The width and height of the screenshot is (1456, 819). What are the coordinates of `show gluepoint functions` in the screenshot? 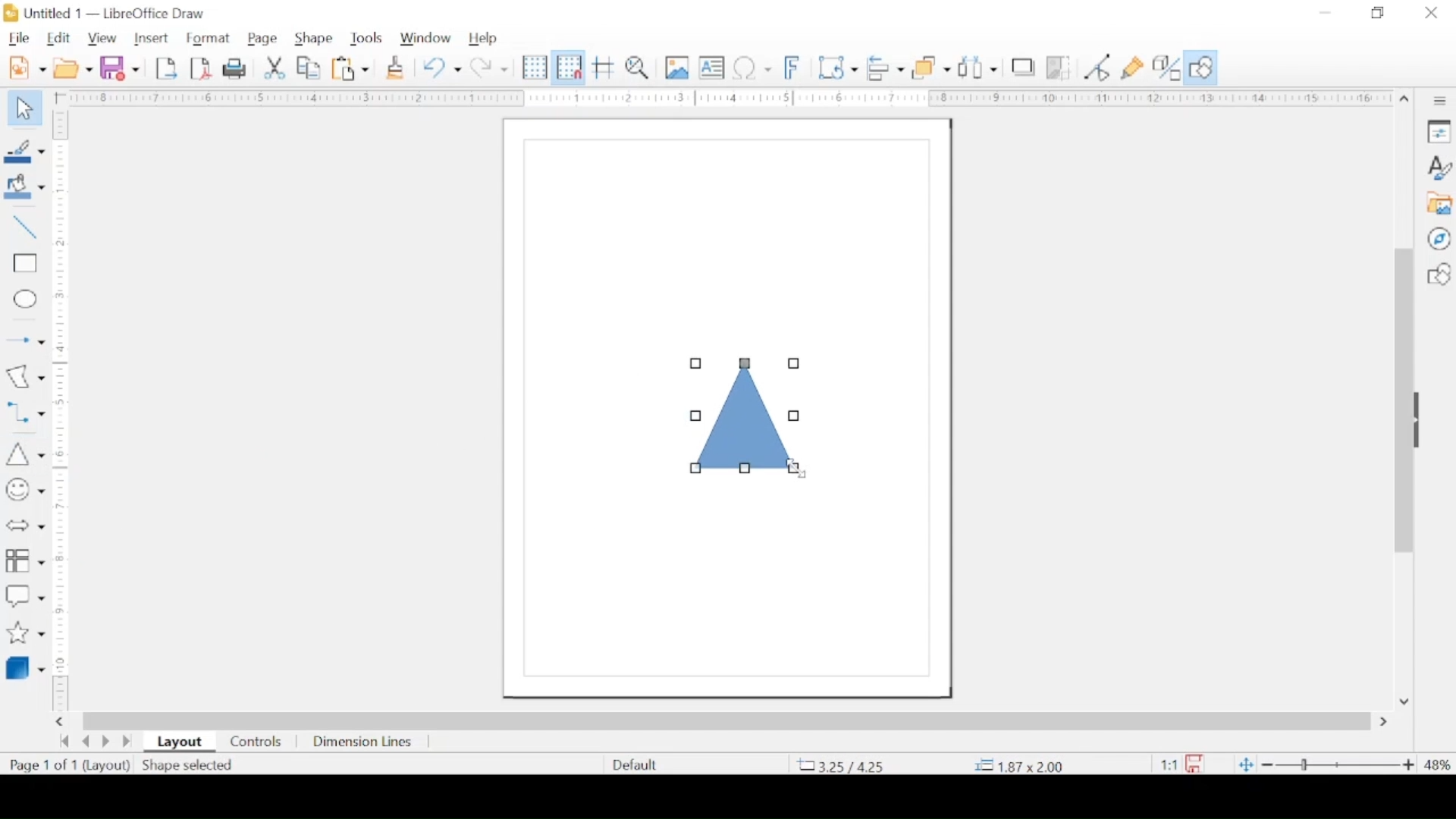 It's located at (1132, 68).